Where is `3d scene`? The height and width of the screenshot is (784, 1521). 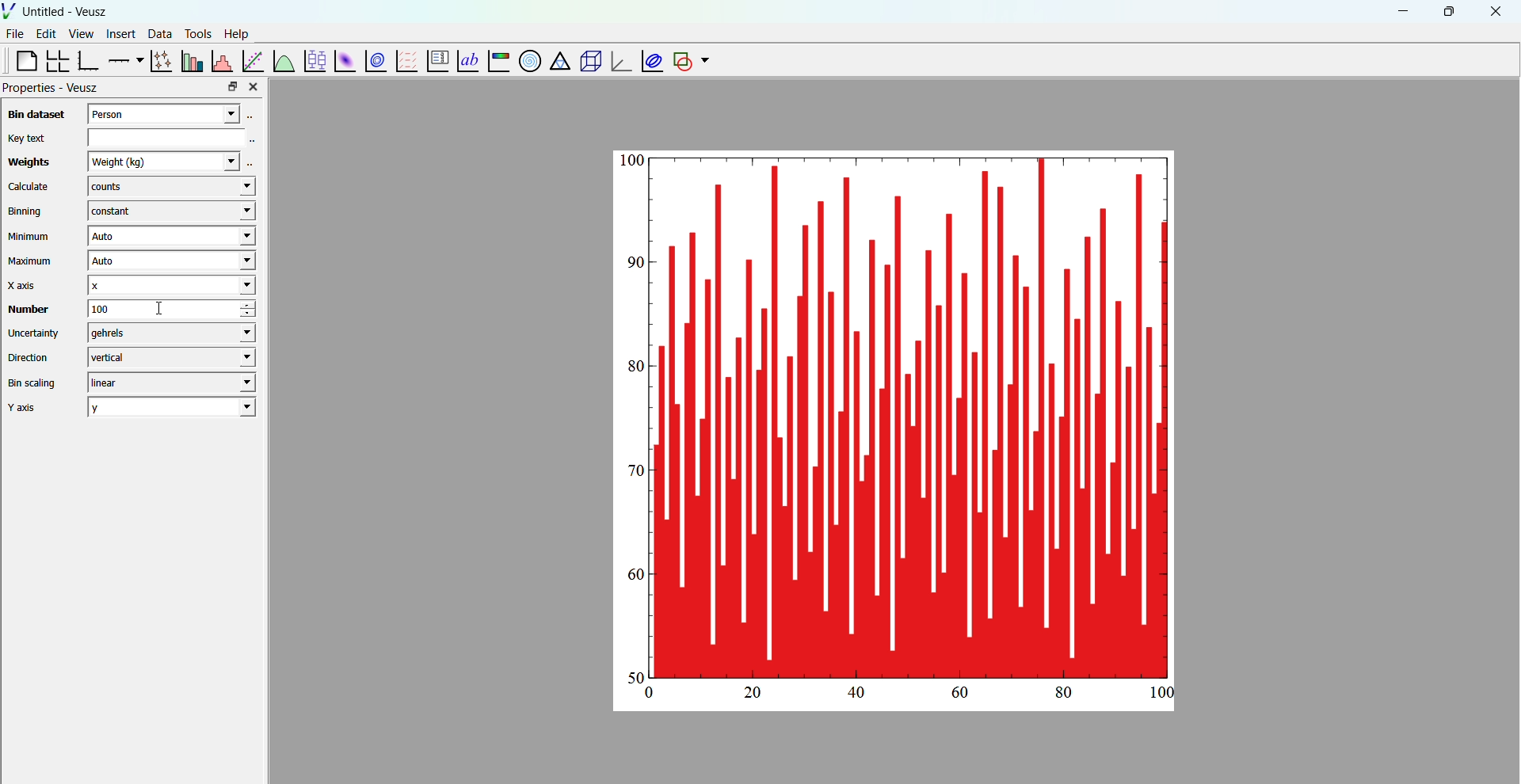 3d scene is located at coordinates (588, 62).